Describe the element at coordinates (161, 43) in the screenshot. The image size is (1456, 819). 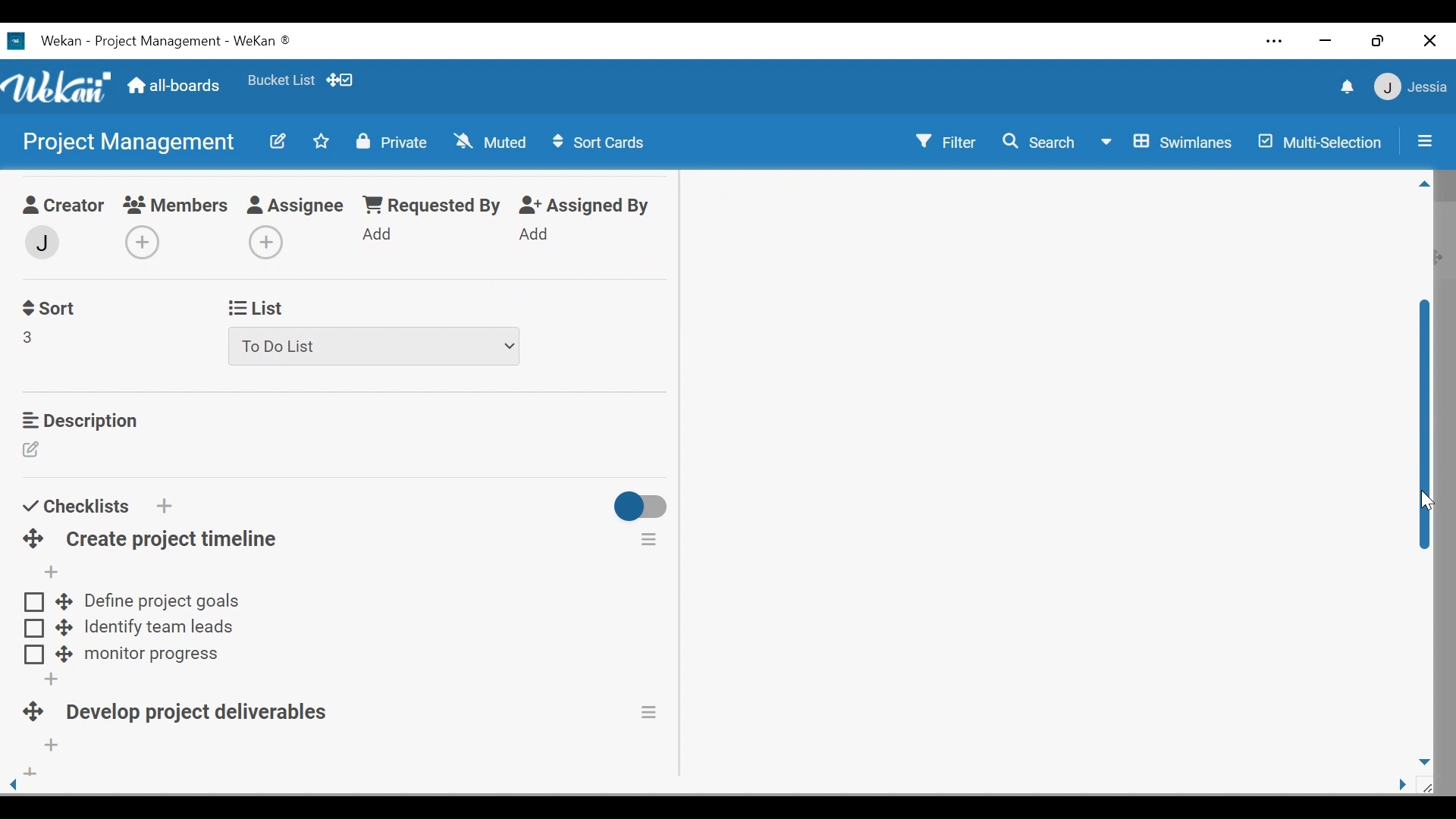
I see `Wekan Desktop icon` at that location.